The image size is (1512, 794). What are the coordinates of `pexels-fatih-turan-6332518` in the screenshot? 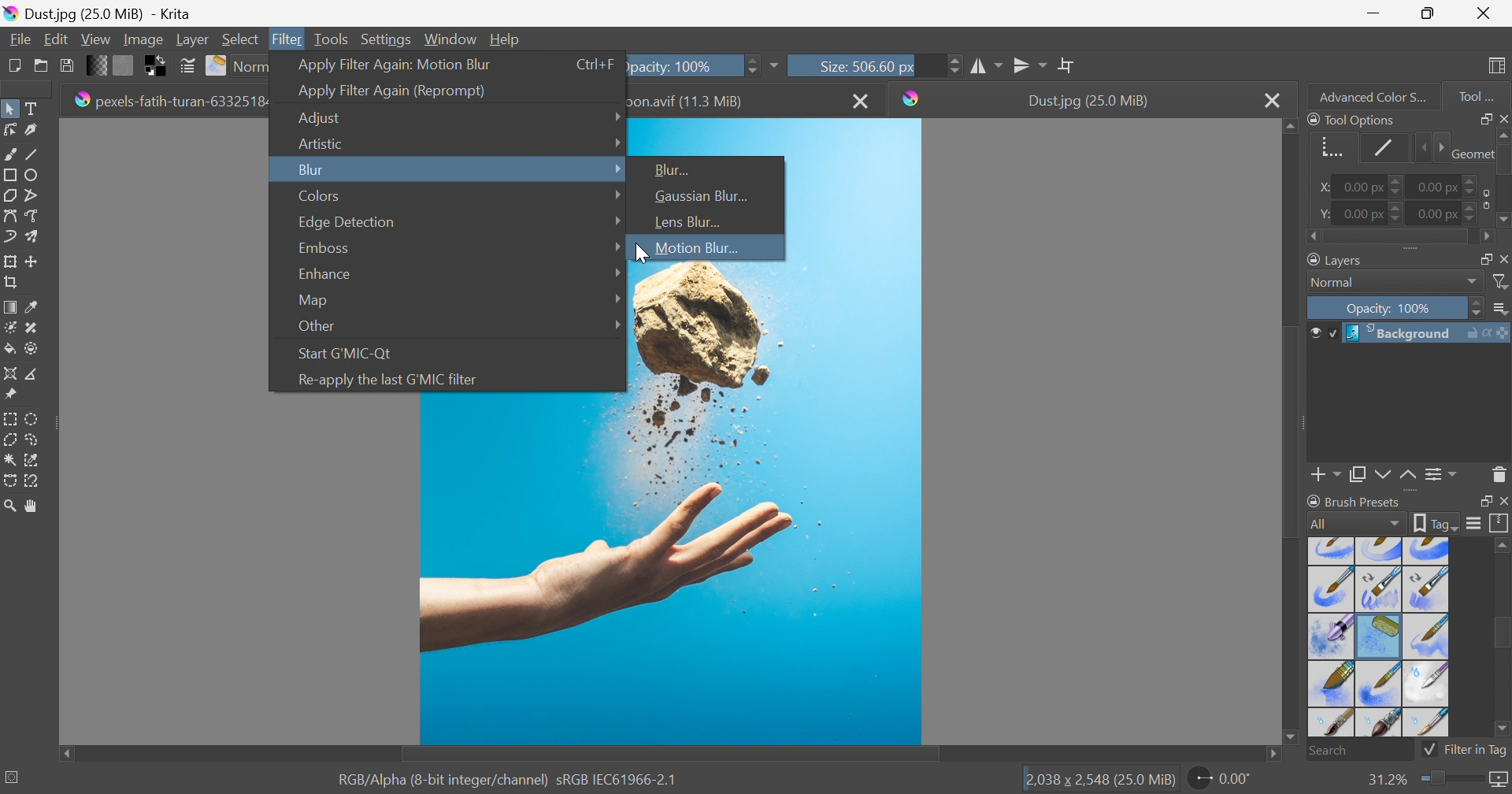 It's located at (169, 99).